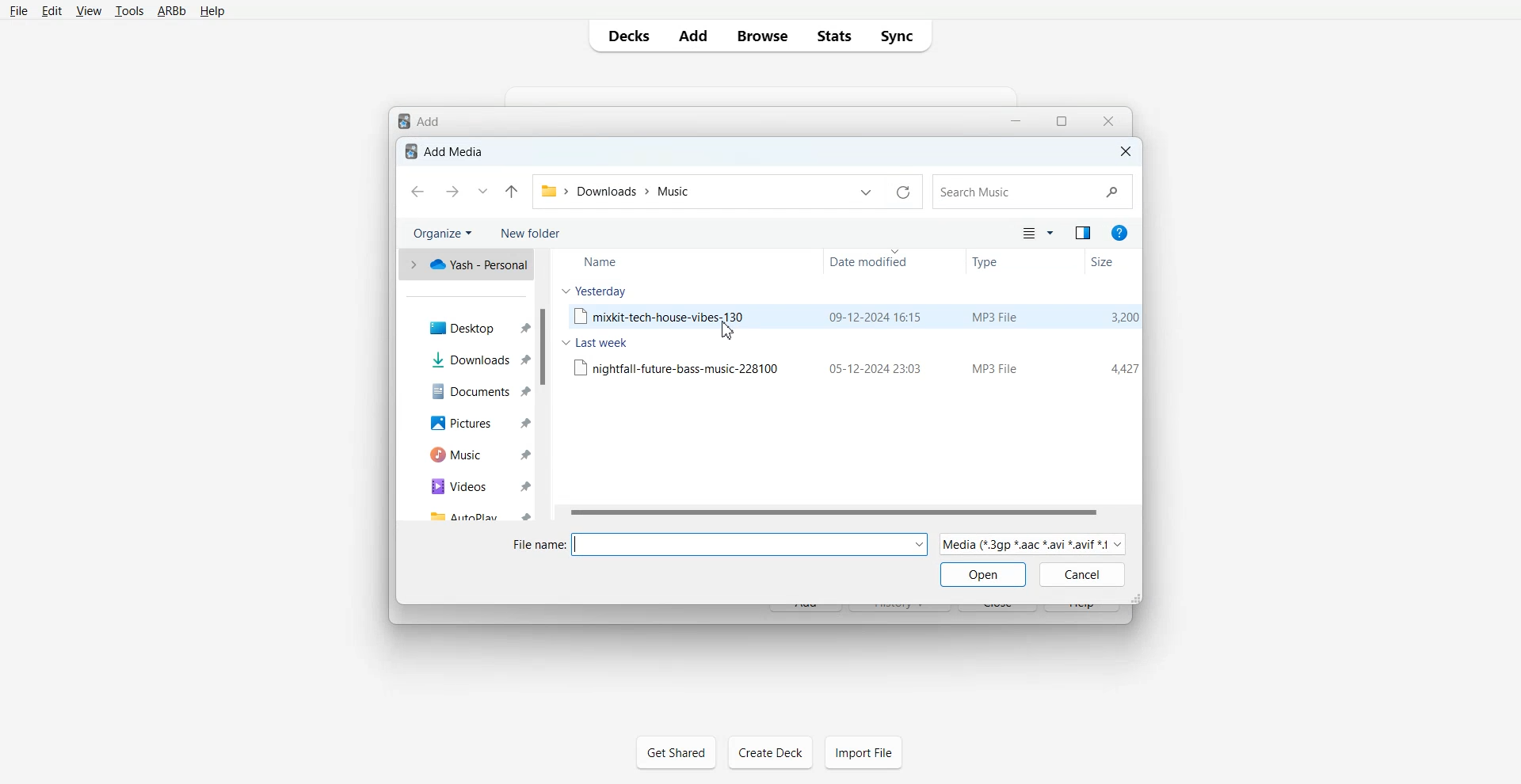  I want to click on Get Help, so click(1122, 233).